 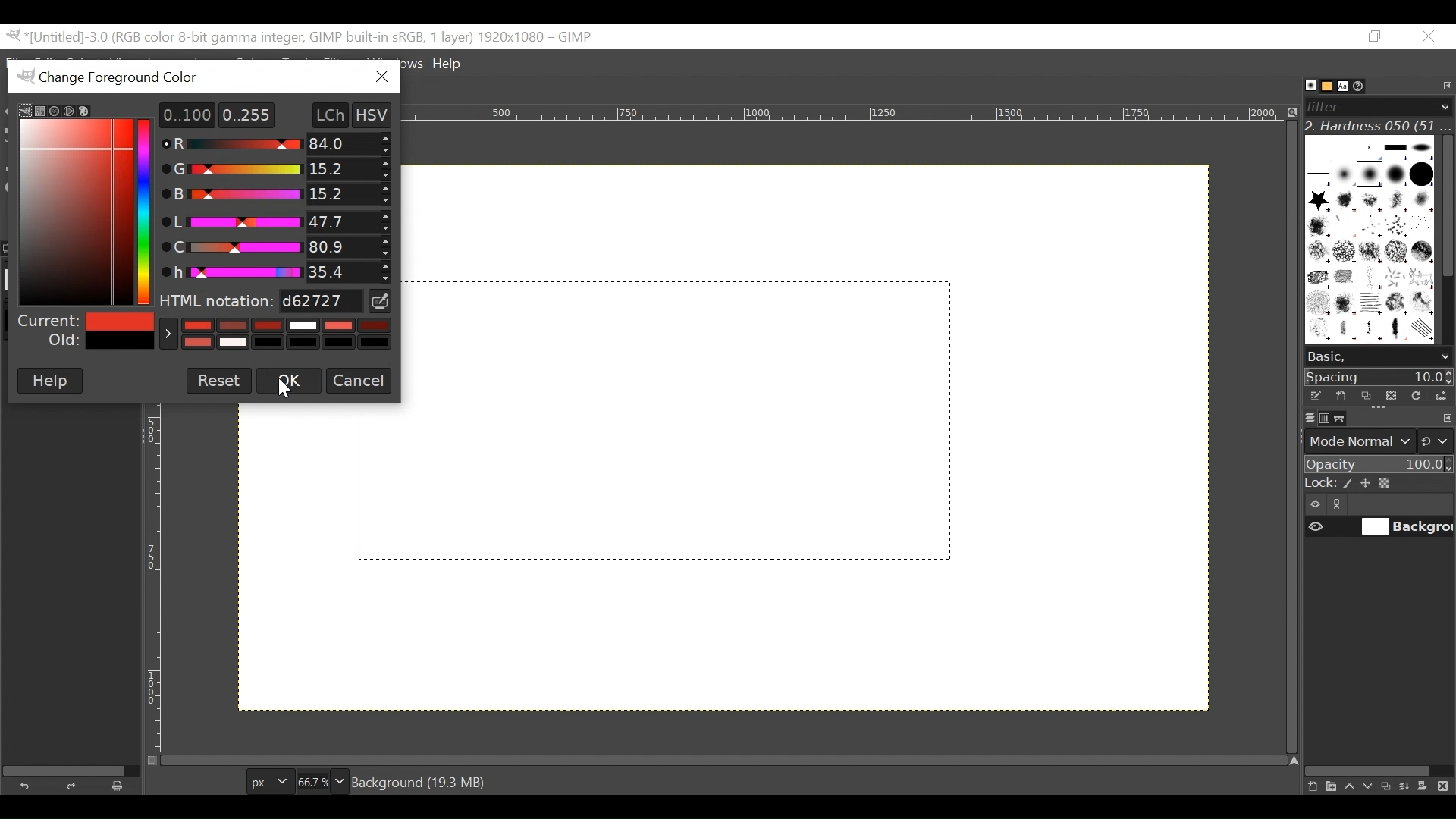 What do you see at coordinates (848, 114) in the screenshot?
I see `Horizontal ruler` at bounding box center [848, 114].